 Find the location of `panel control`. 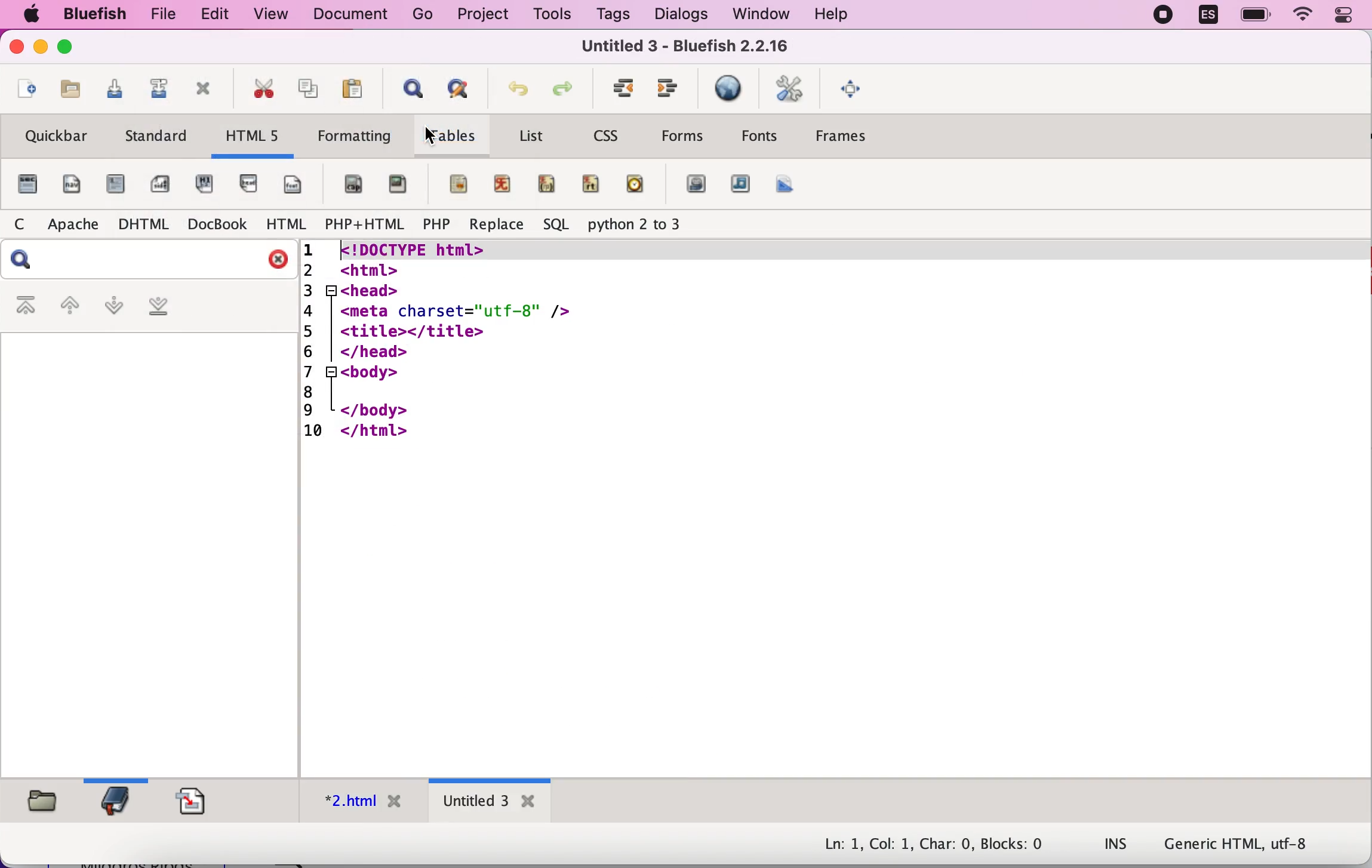

panel control is located at coordinates (1348, 17).